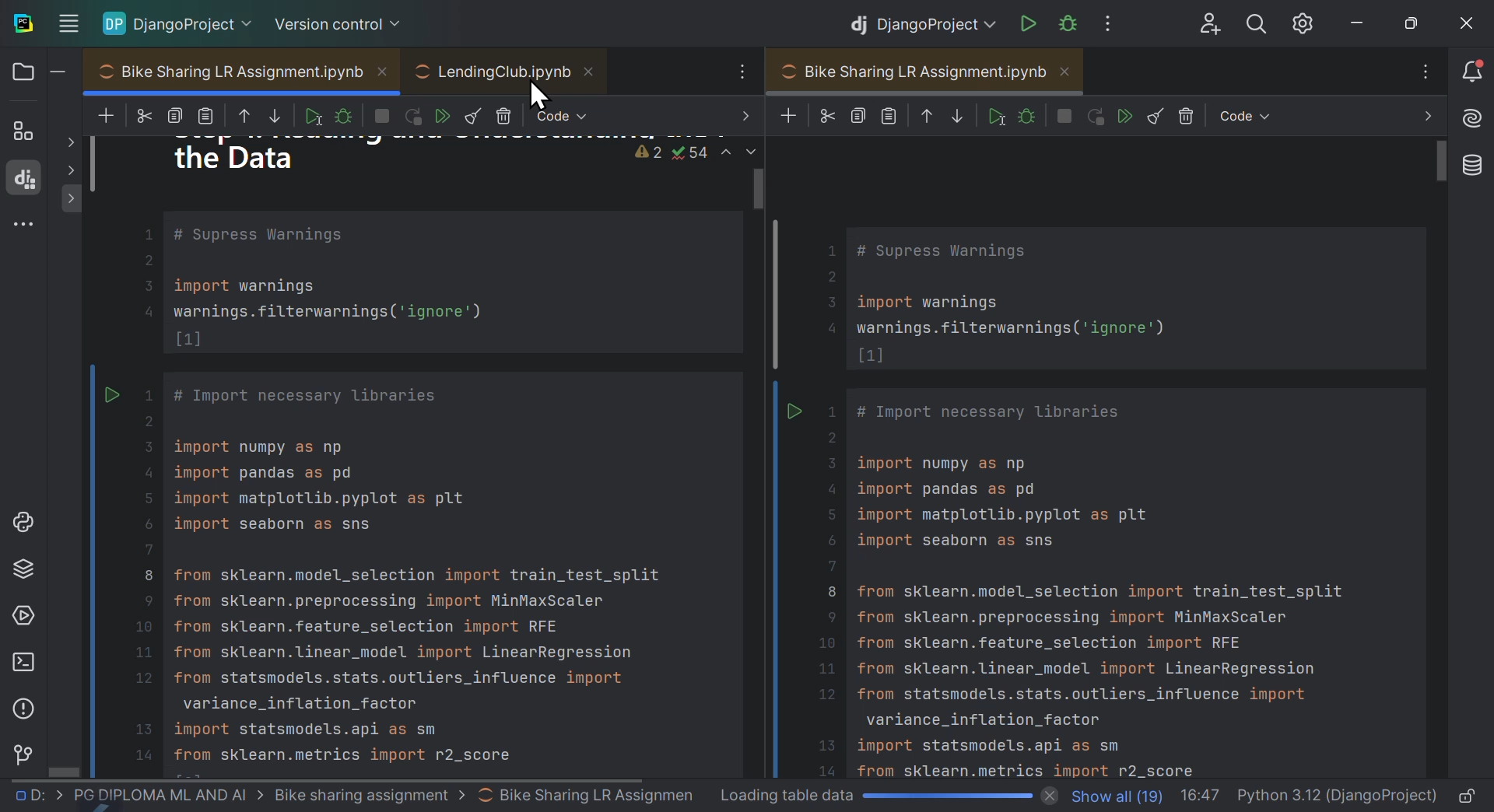  I want to click on Code, so click(427, 471).